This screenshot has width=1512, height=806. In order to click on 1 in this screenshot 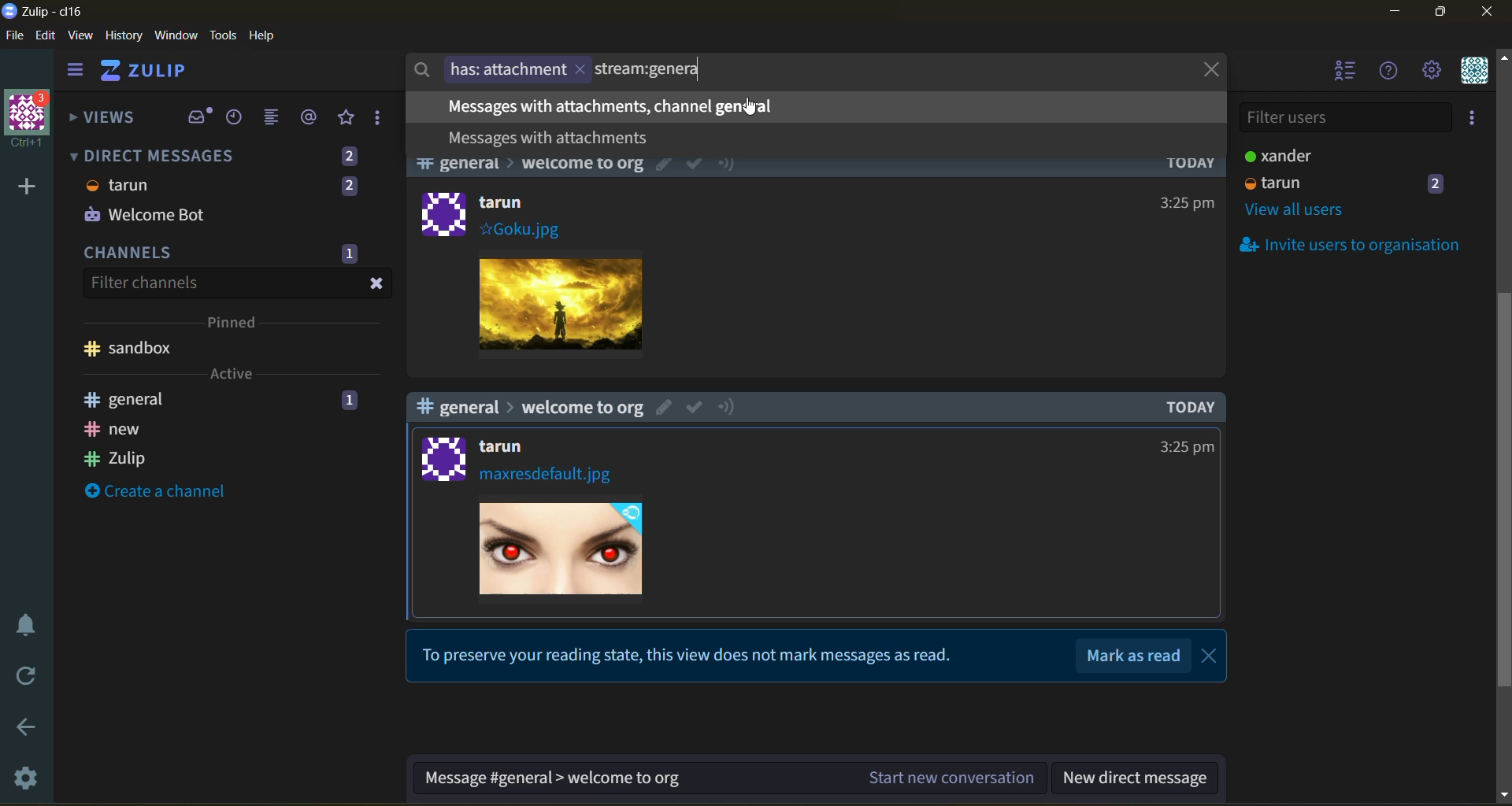, I will do `click(349, 402)`.